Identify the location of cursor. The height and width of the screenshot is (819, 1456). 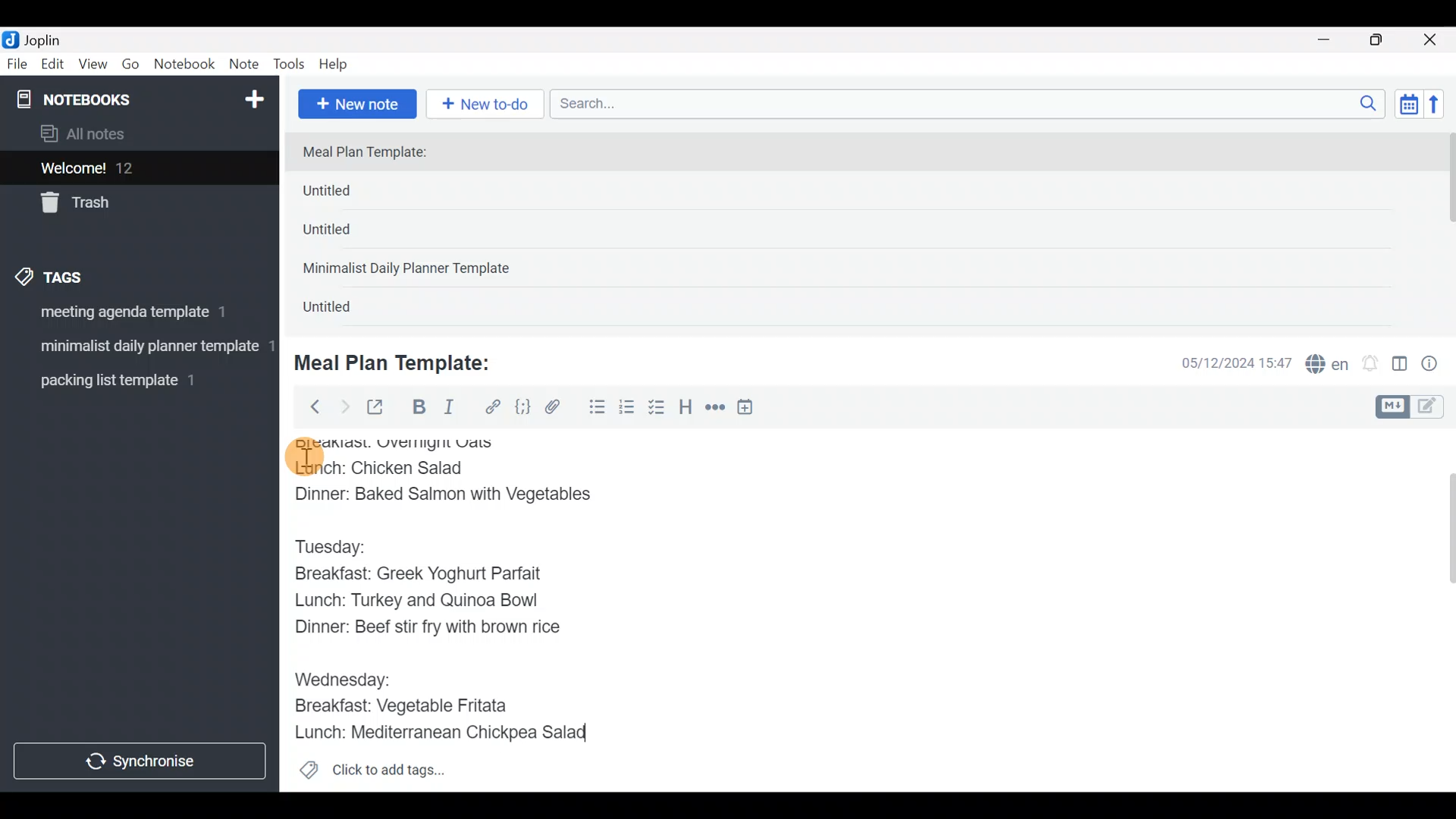
(303, 456).